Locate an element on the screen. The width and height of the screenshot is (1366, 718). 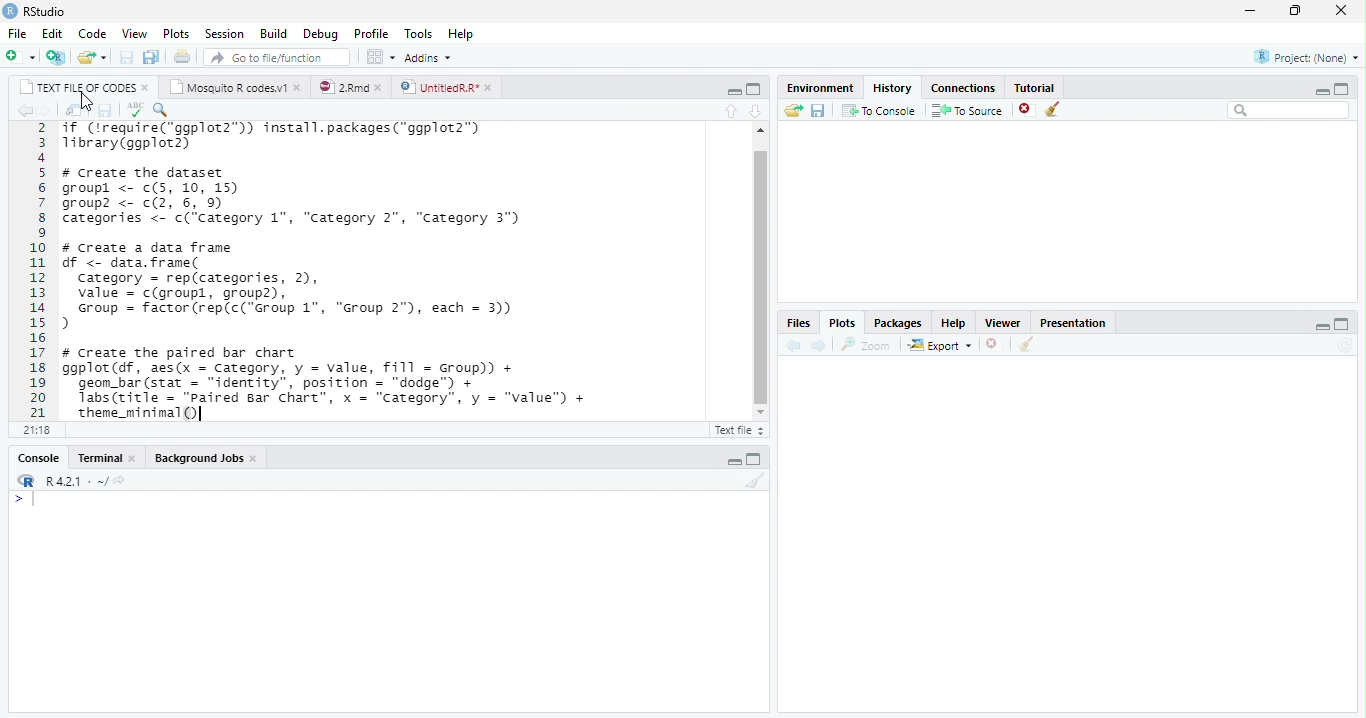
addins is located at coordinates (431, 57).